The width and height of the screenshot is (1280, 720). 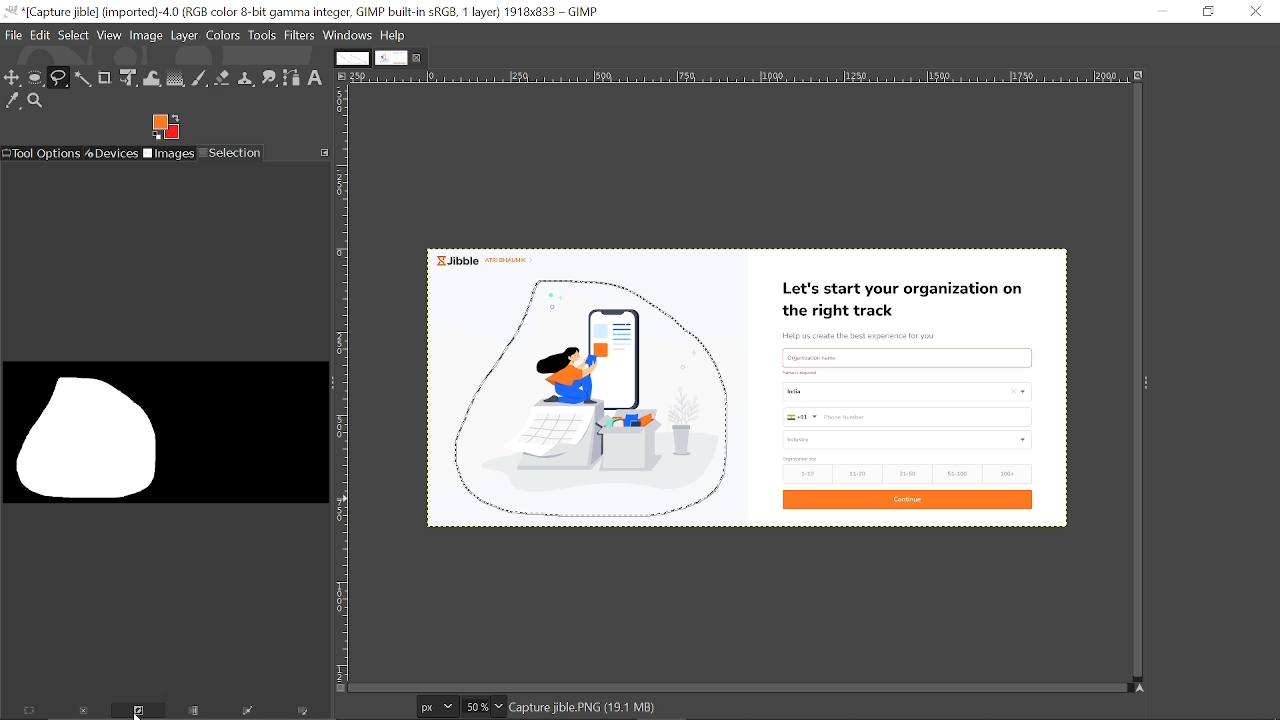 What do you see at coordinates (262, 35) in the screenshot?
I see `` at bounding box center [262, 35].